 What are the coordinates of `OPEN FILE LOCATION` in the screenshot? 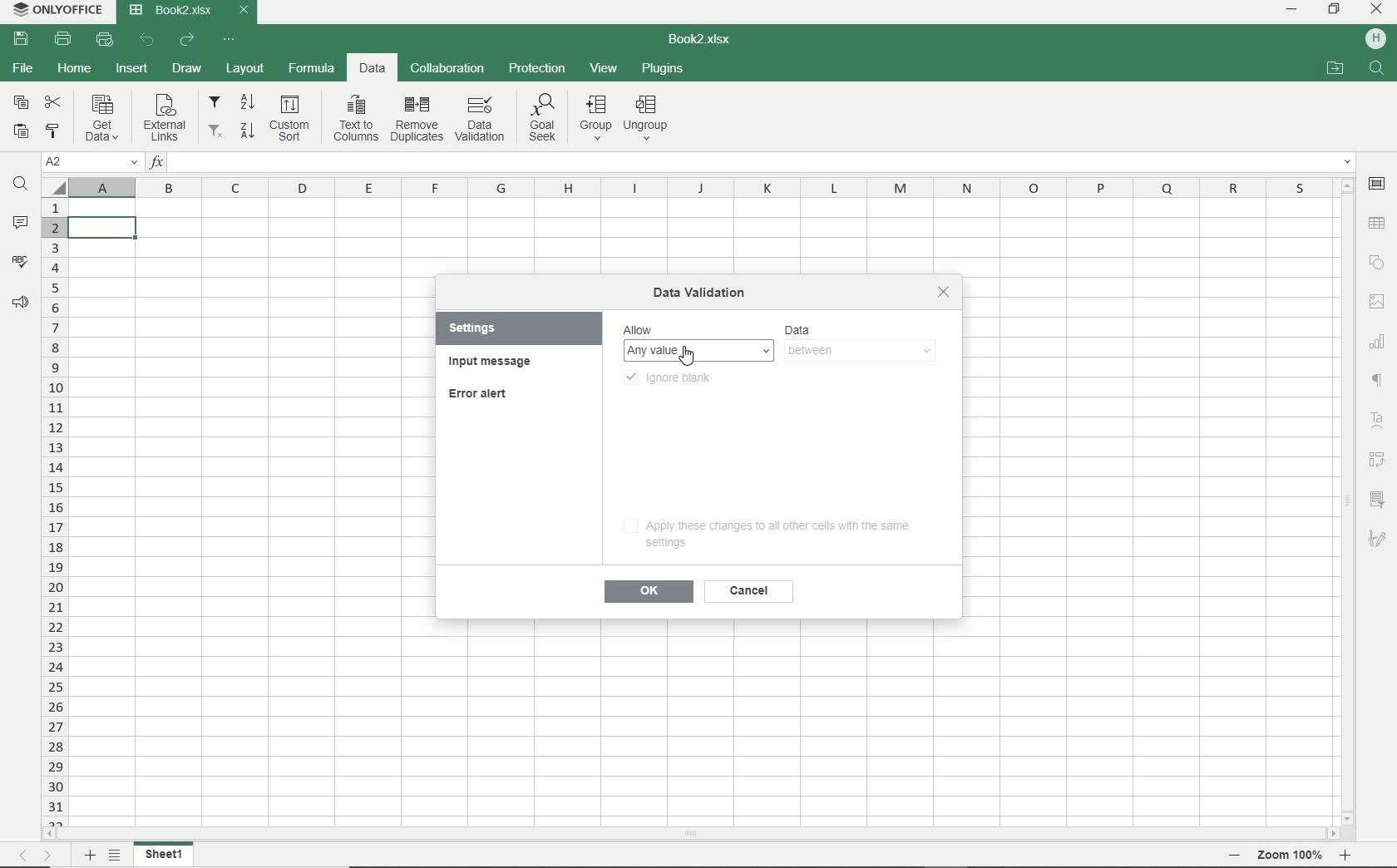 It's located at (1337, 68).